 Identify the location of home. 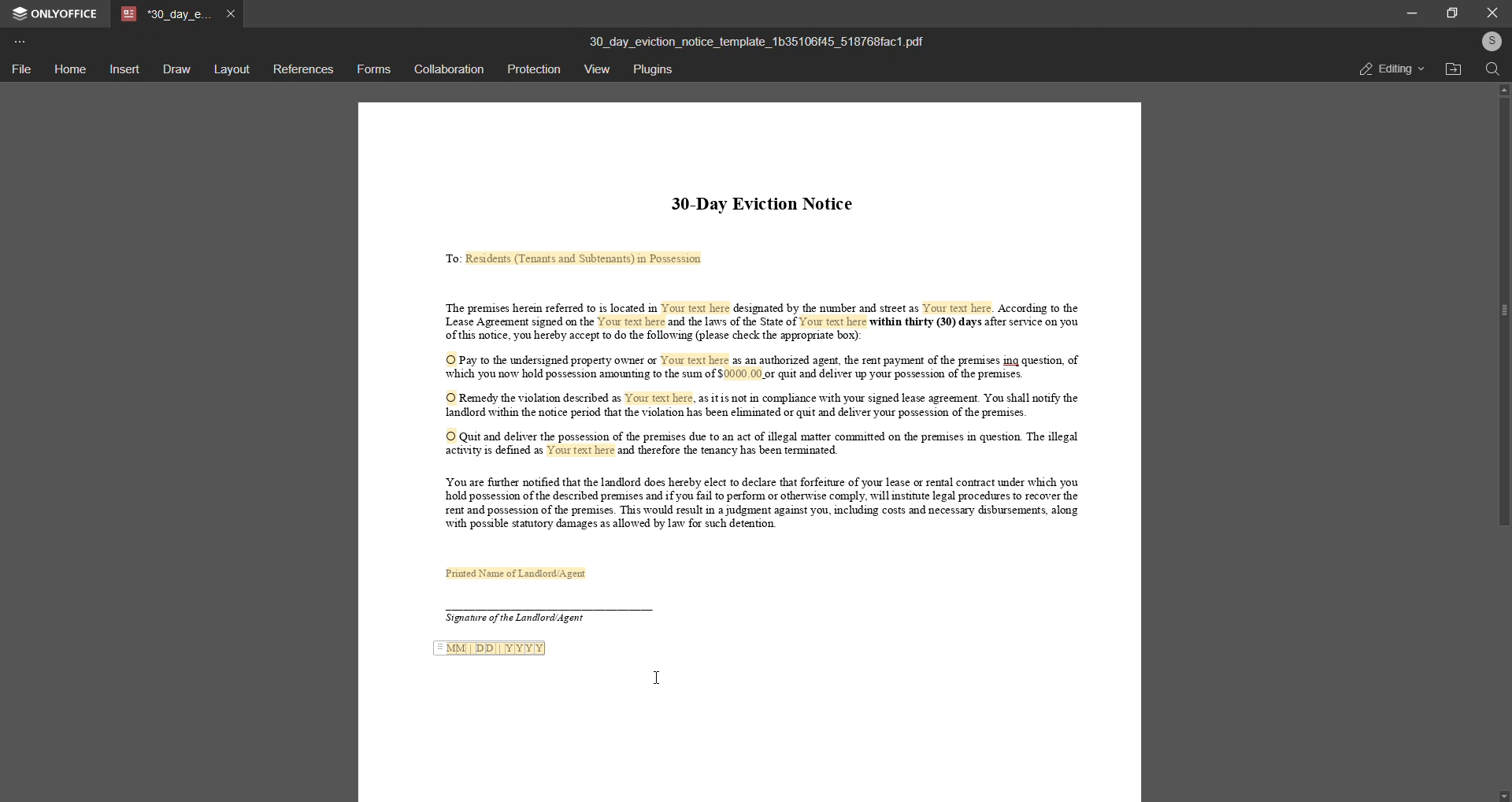
(68, 69).